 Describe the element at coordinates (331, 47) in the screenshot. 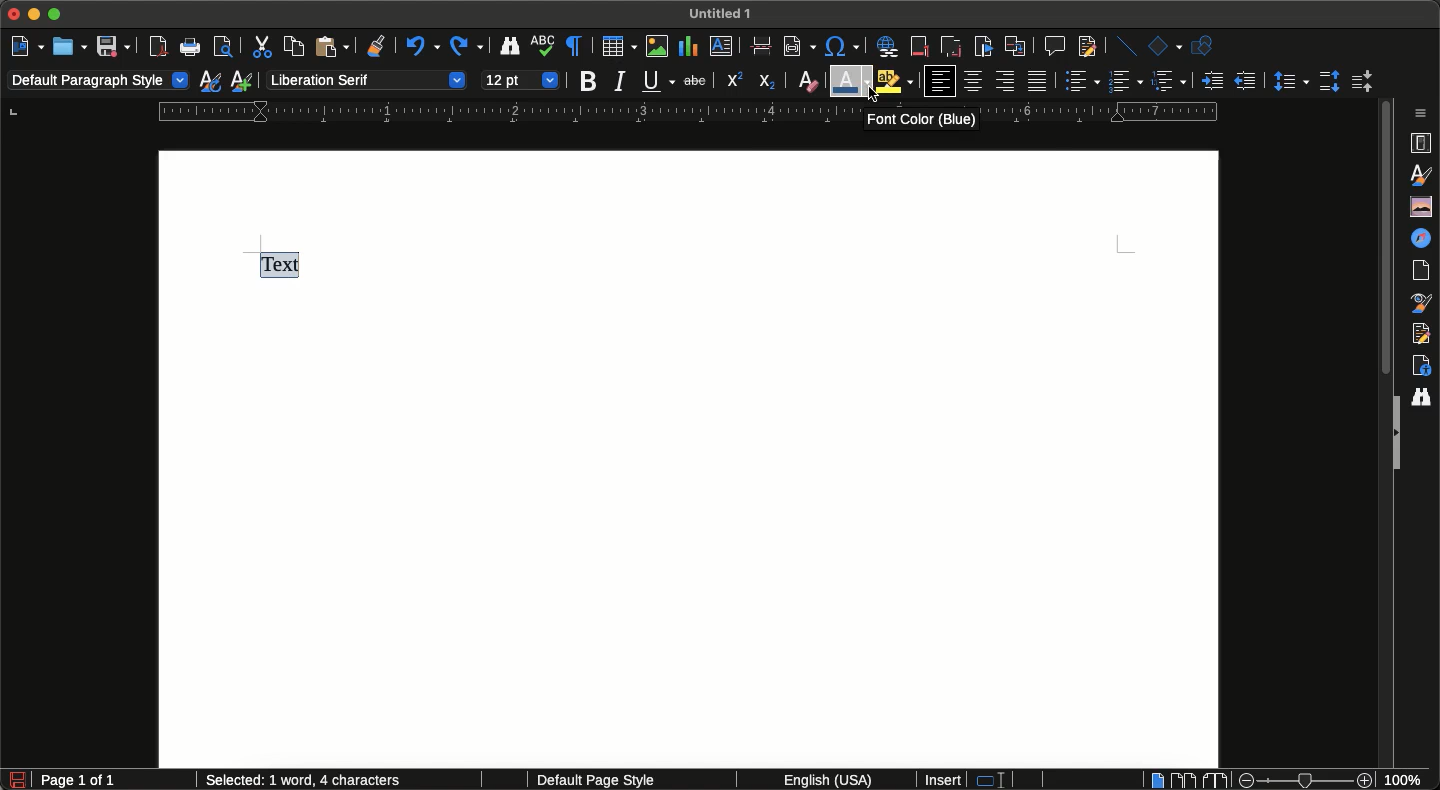

I see `Paste` at that location.